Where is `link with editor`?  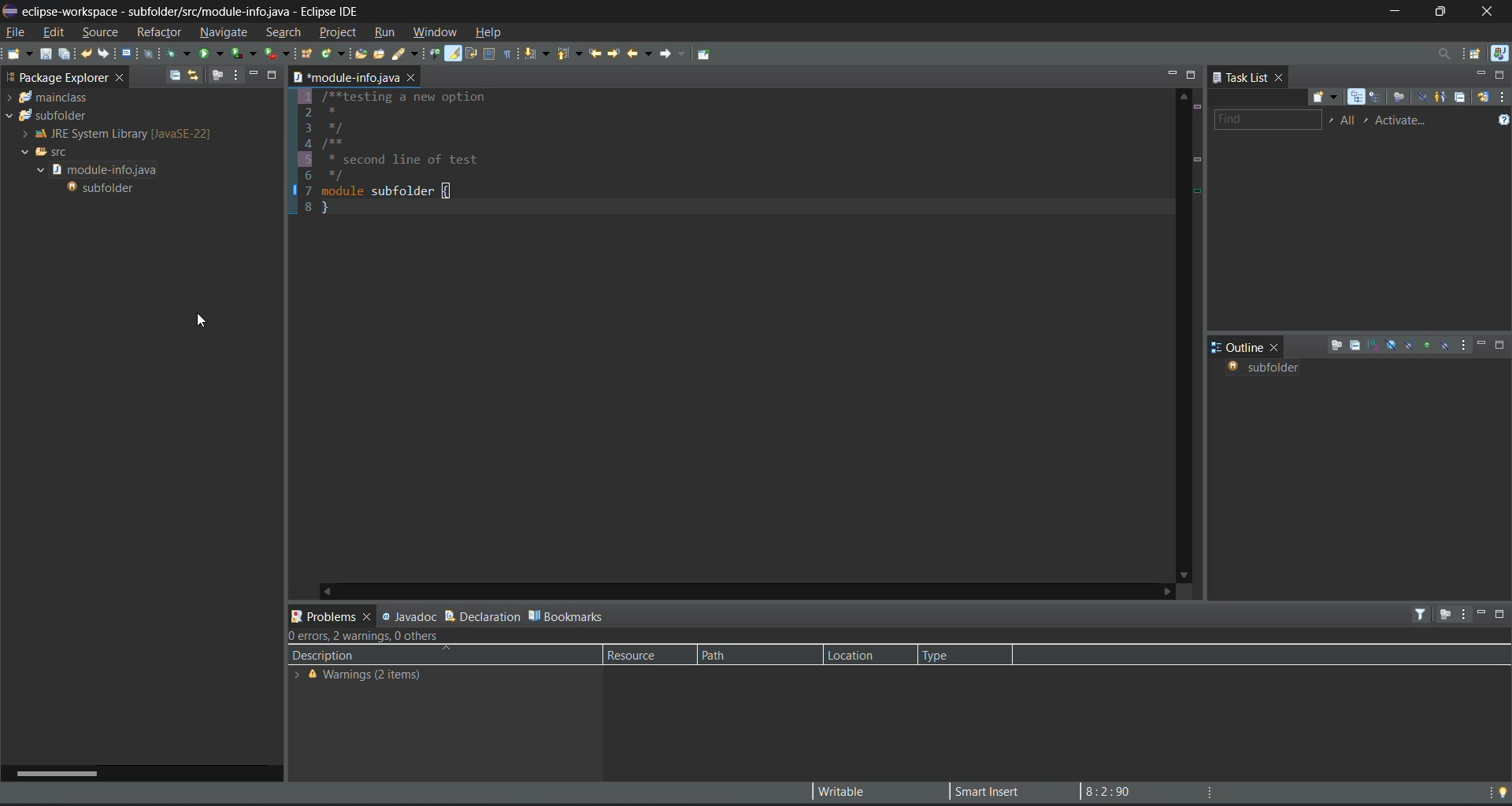
link with editor is located at coordinates (195, 76).